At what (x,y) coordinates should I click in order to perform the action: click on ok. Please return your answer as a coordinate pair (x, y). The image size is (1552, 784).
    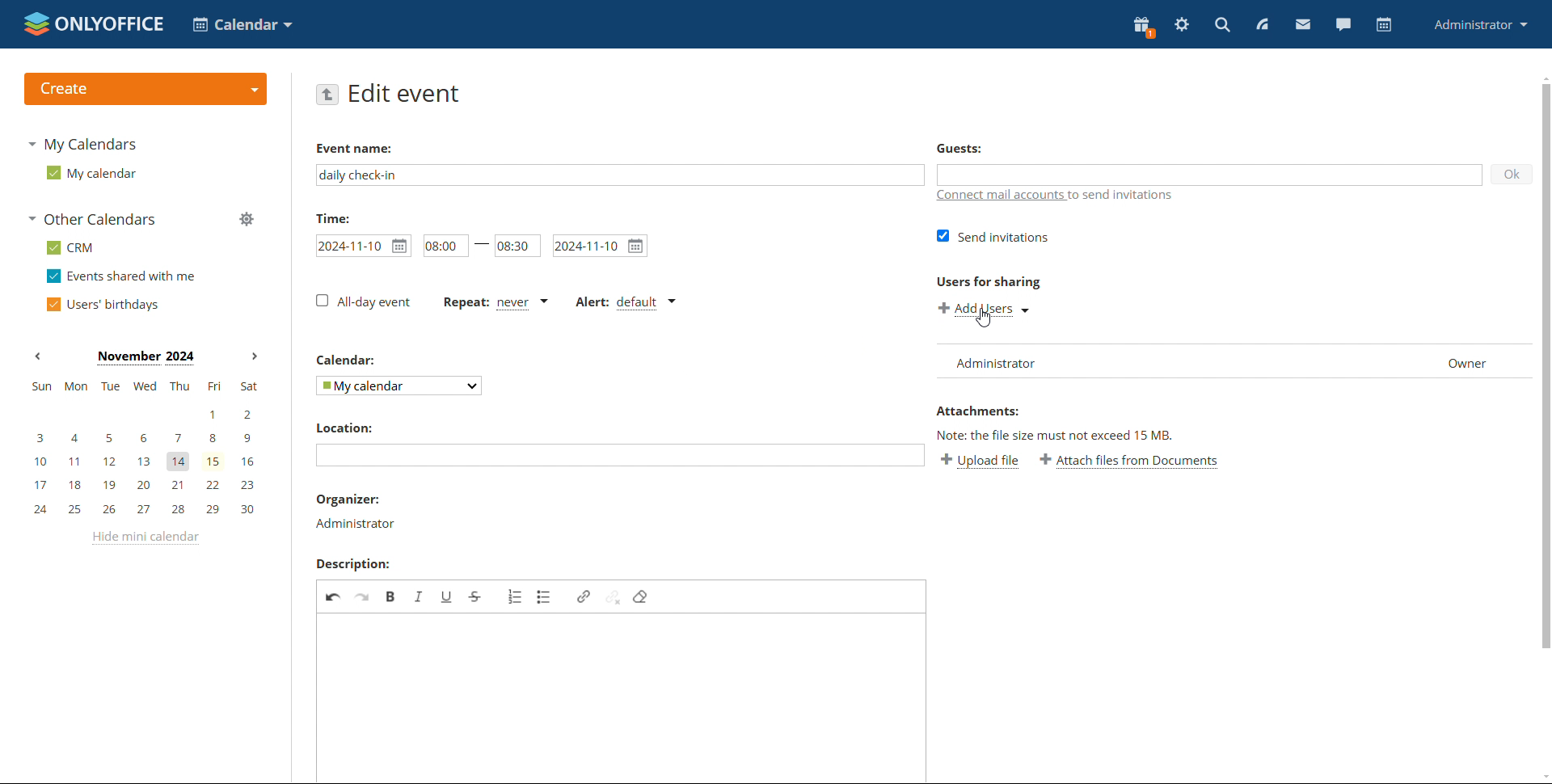
    Looking at the image, I should click on (1512, 174).